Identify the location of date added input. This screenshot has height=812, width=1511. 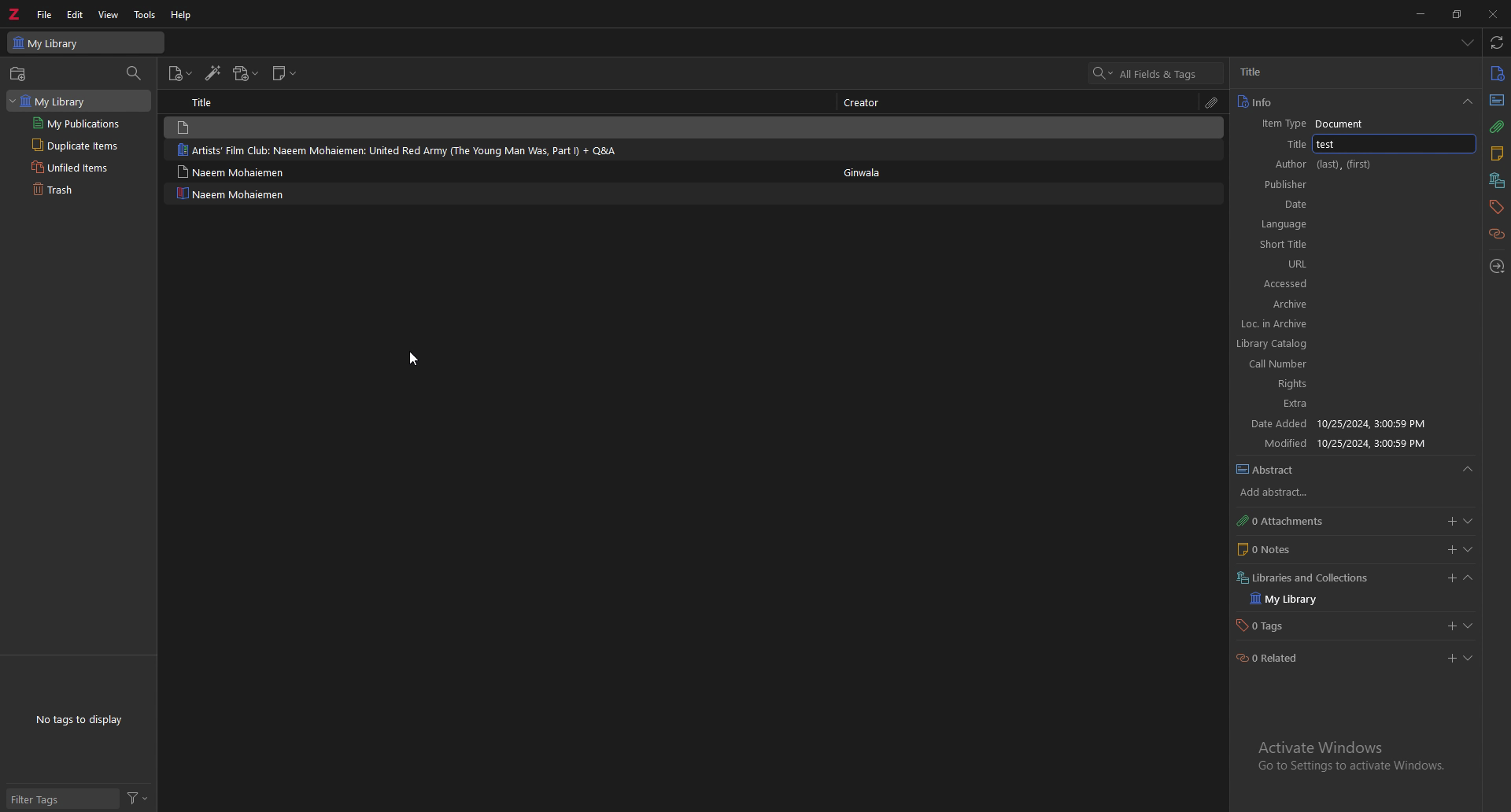
(1449, 578).